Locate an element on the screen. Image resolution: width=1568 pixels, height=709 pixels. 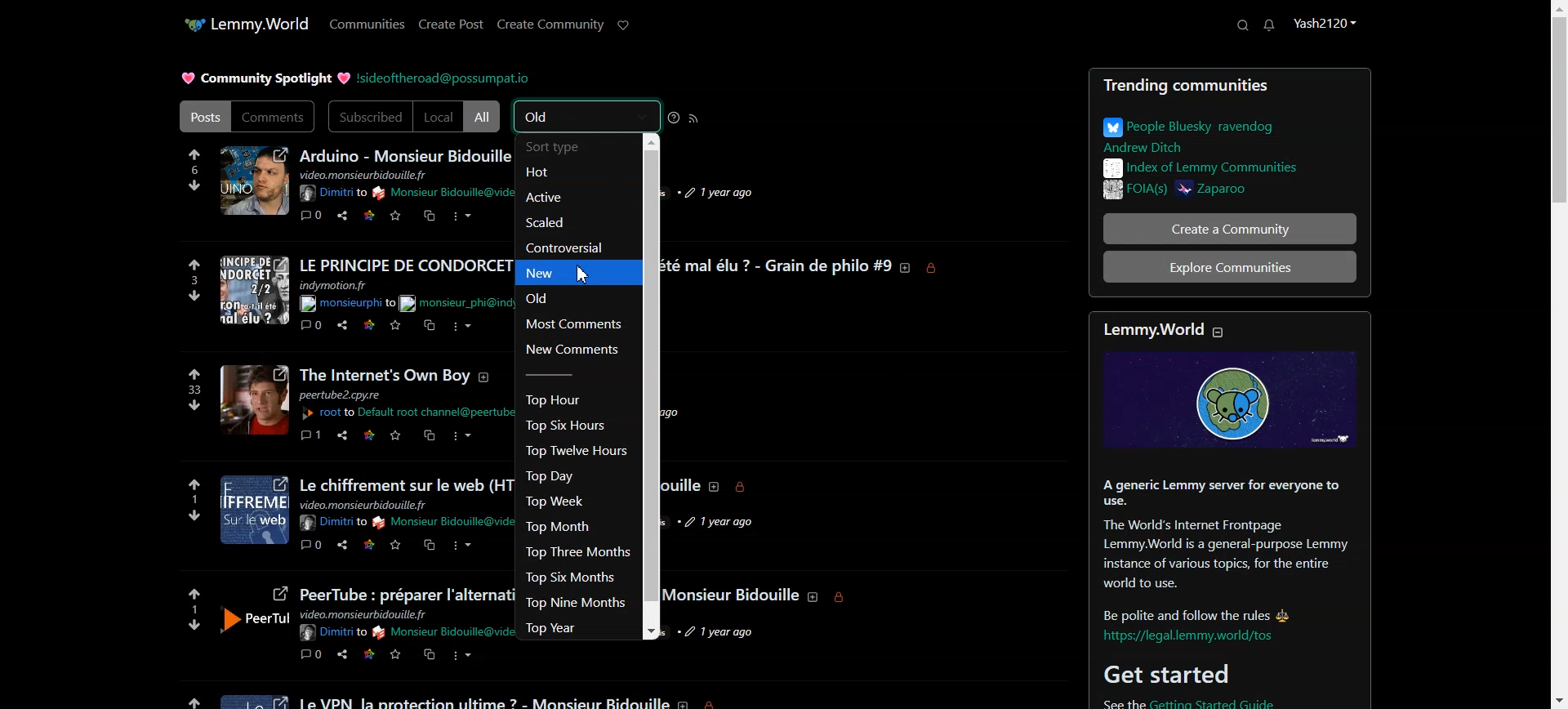
Cursor is located at coordinates (584, 273).